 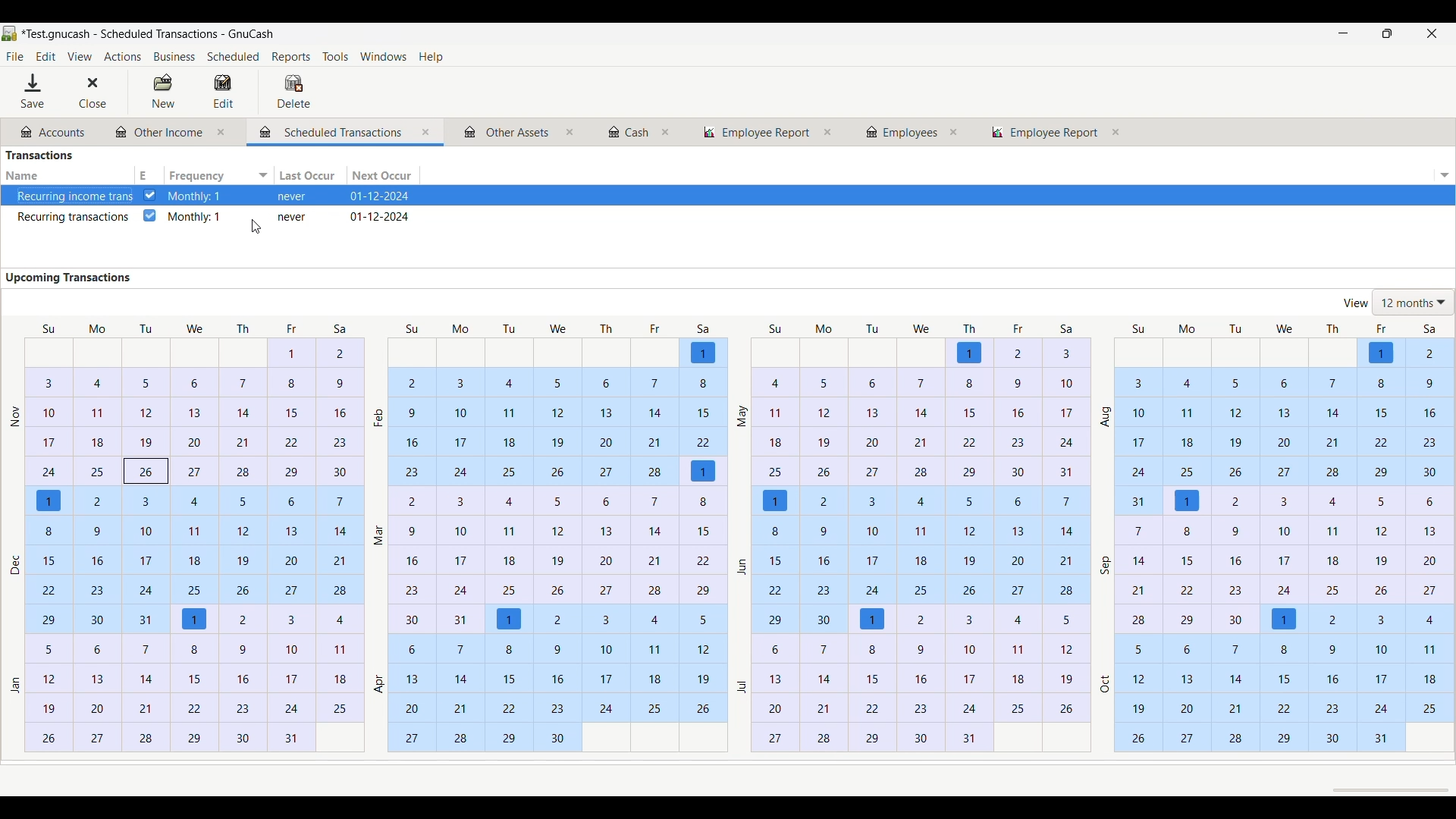 What do you see at coordinates (1045, 132) in the screenshot?
I see `employee report` at bounding box center [1045, 132].